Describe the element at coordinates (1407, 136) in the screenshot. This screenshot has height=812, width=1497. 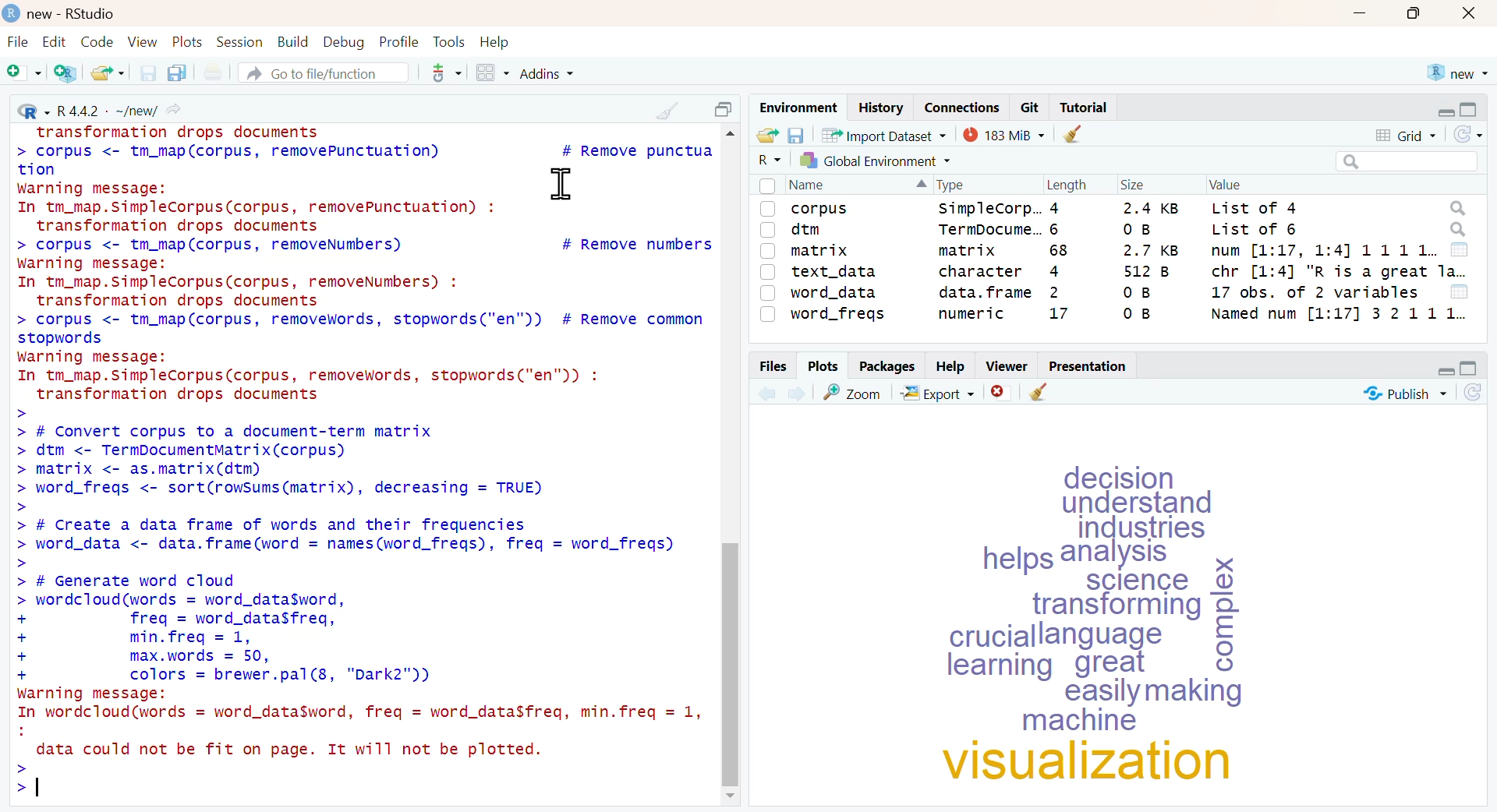
I see `Grid` at that location.